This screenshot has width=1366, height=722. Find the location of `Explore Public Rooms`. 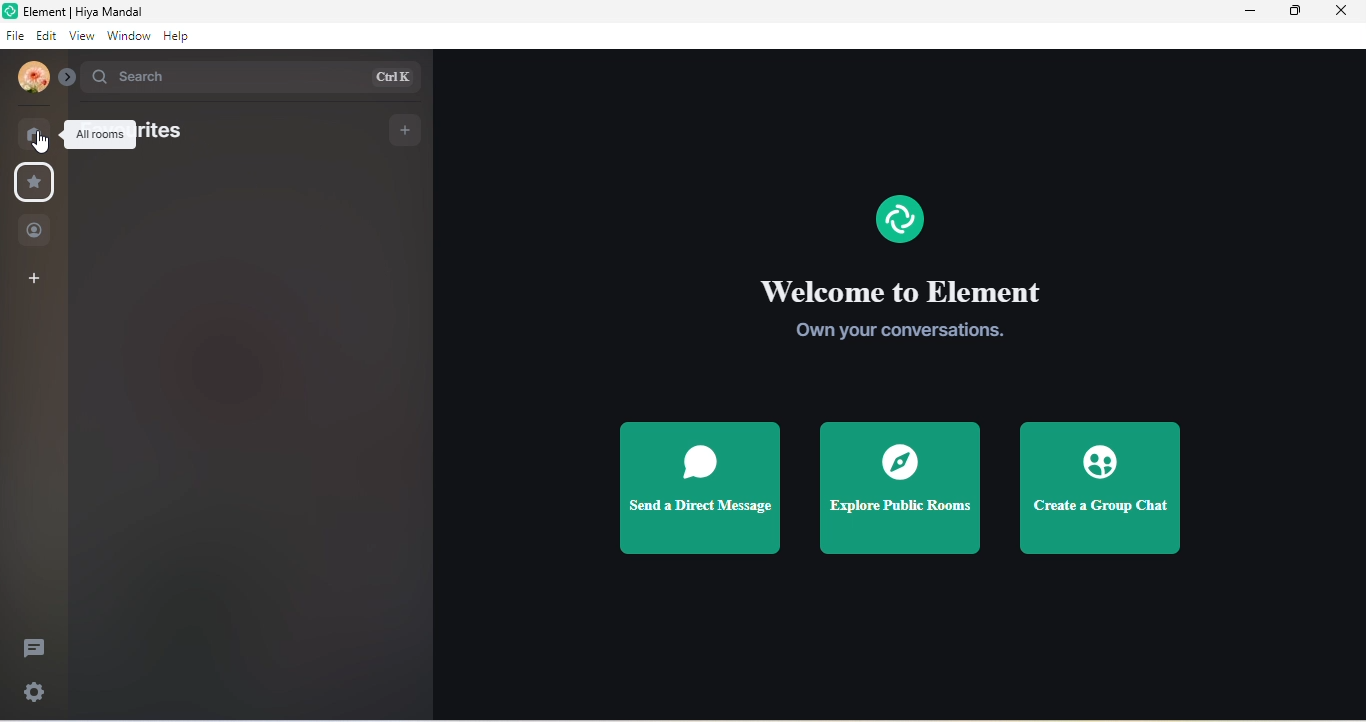

Explore Public Rooms is located at coordinates (898, 488).